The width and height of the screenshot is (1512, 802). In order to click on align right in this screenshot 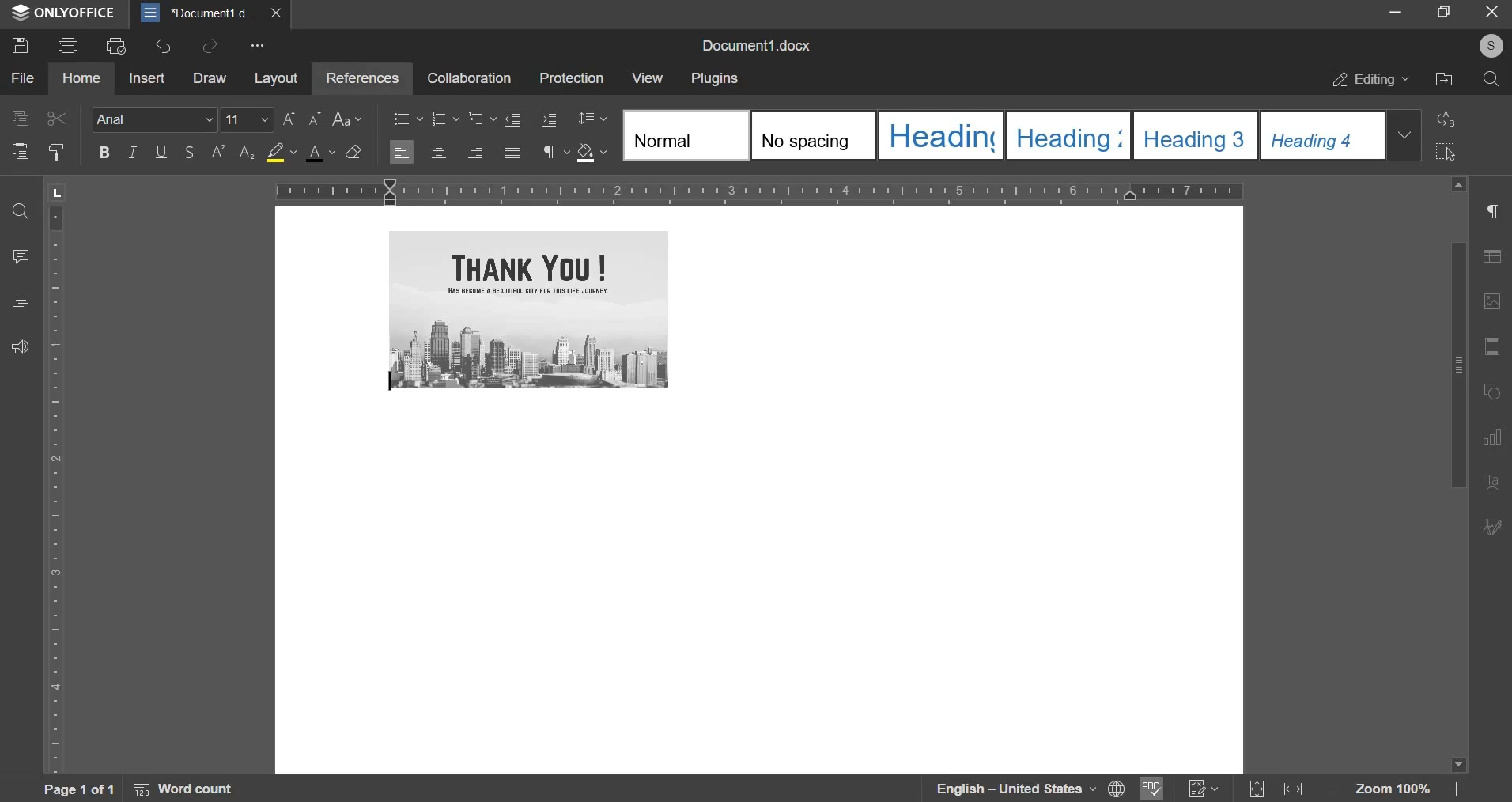, I will do `click(475, 150)`.